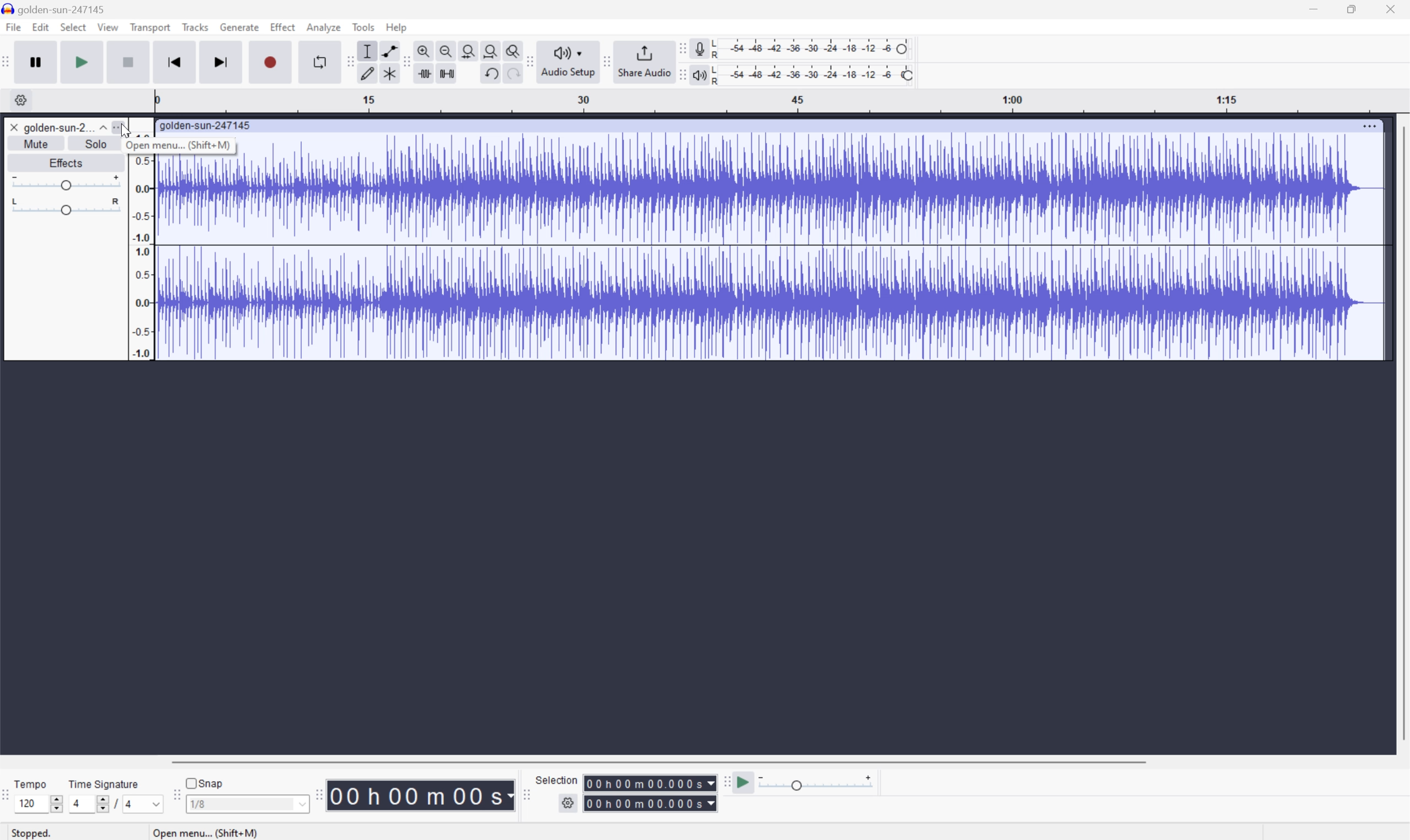  What do you see at coordinates (816, 785) in the screenshot?
I see `Playback: 1.000 x` at bounding box center [816, 785].